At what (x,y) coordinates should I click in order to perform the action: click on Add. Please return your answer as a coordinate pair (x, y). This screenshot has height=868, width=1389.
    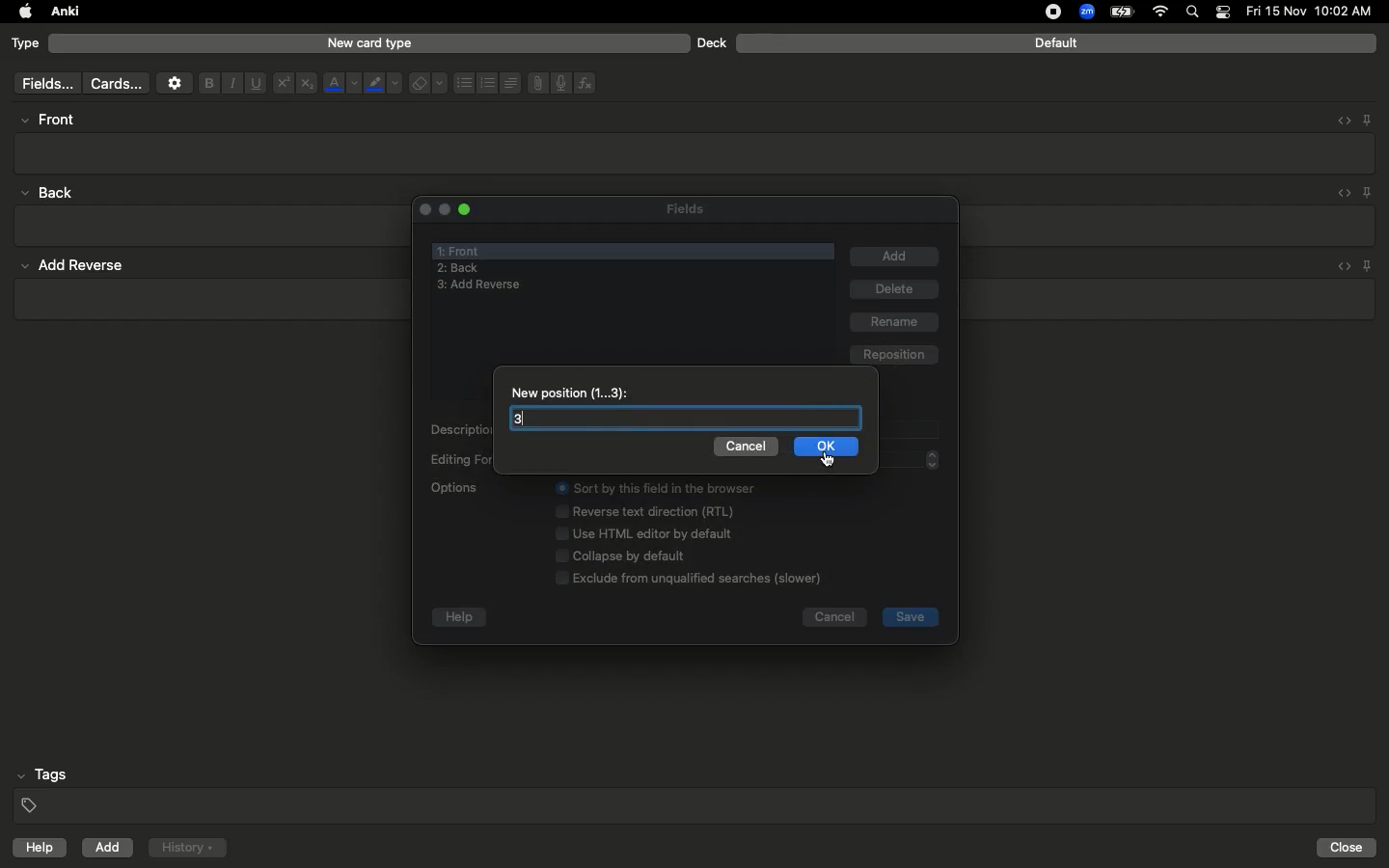
    Looking at the image, I should click on (109, 848).